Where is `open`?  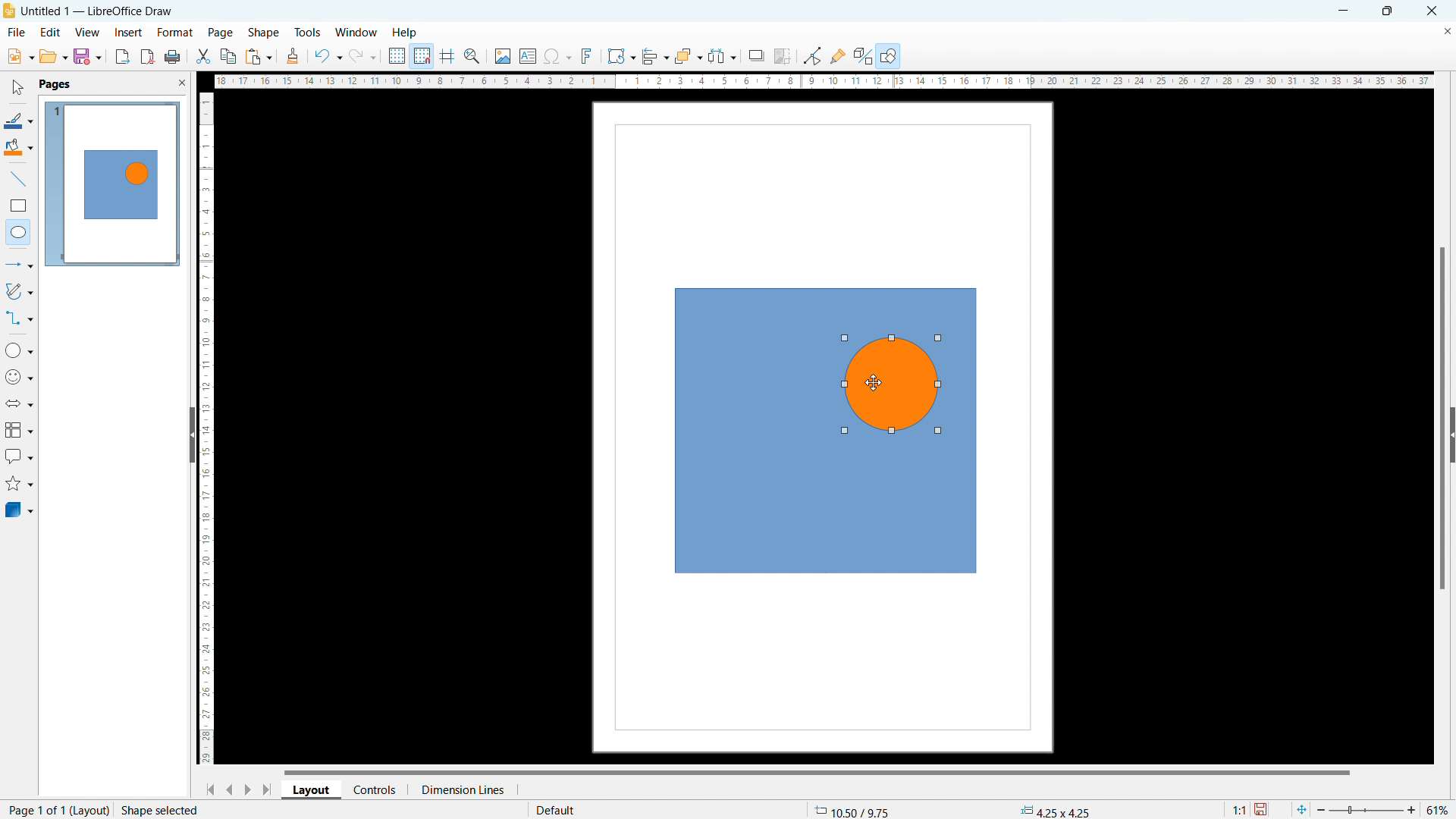 open is located at coordinates (53, 56).